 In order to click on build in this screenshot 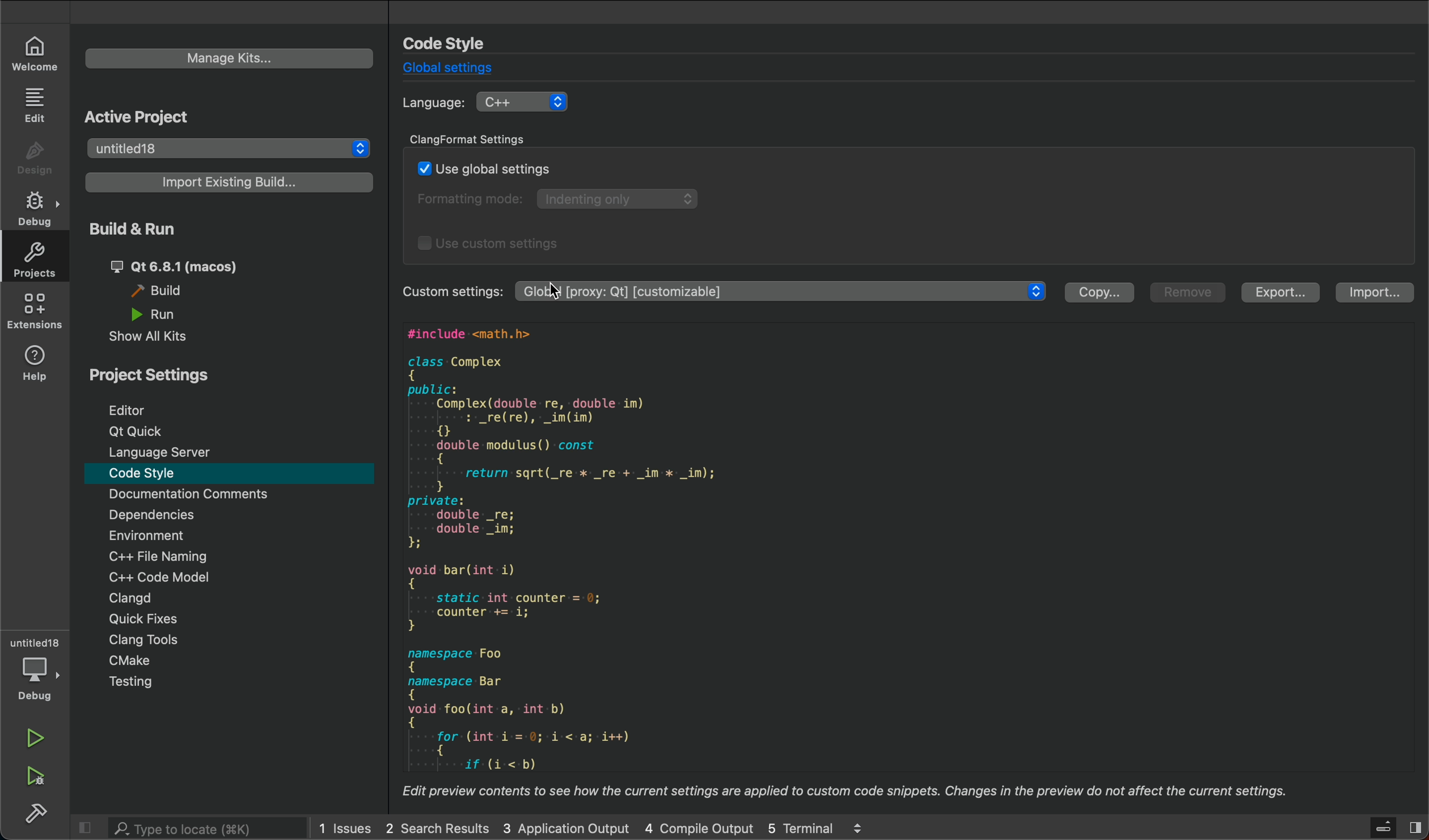, I will do `click(166, 292)`.